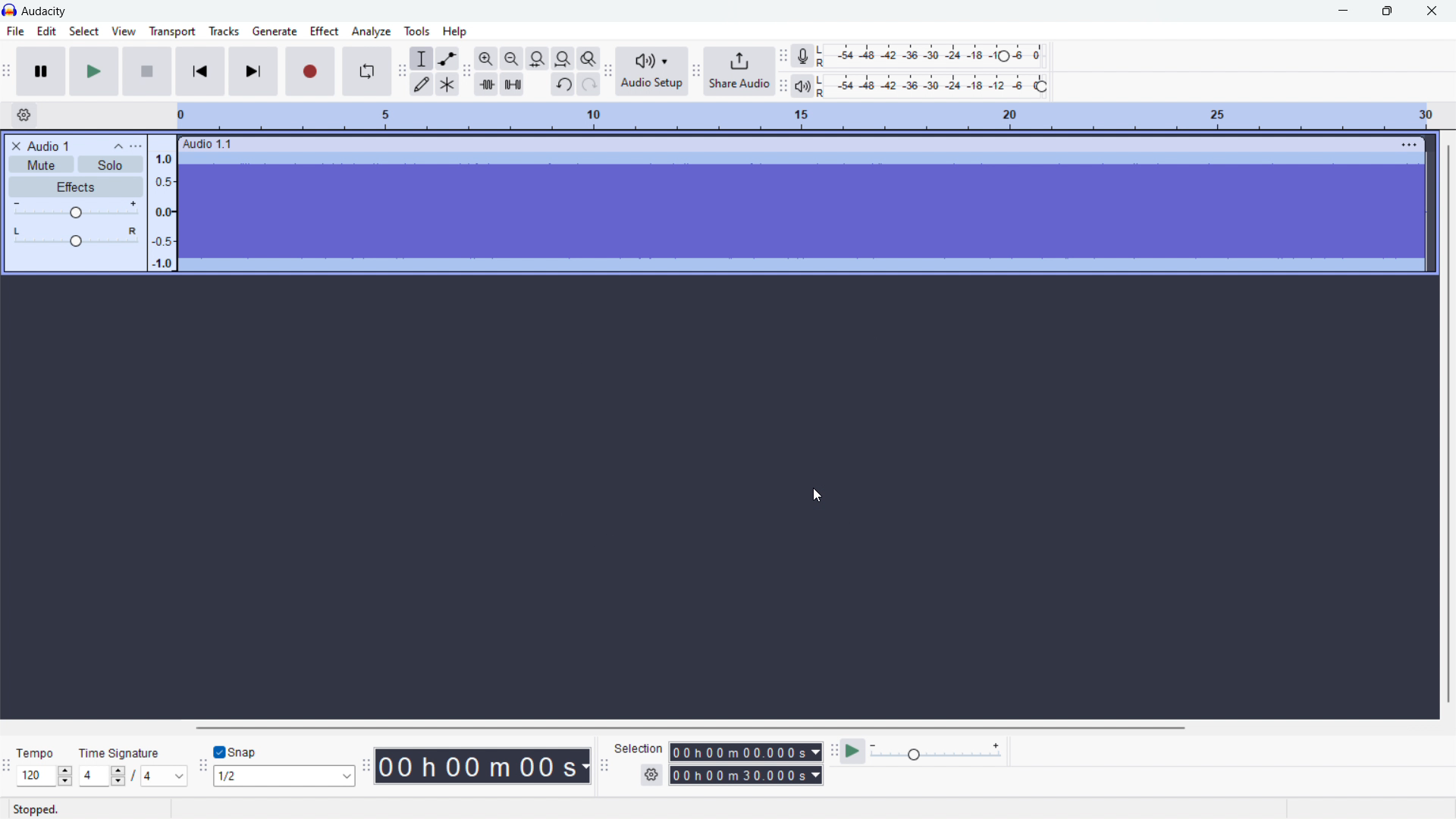 This screenshot has height=819, width=1456. I want to click on view, so click(123, 31).